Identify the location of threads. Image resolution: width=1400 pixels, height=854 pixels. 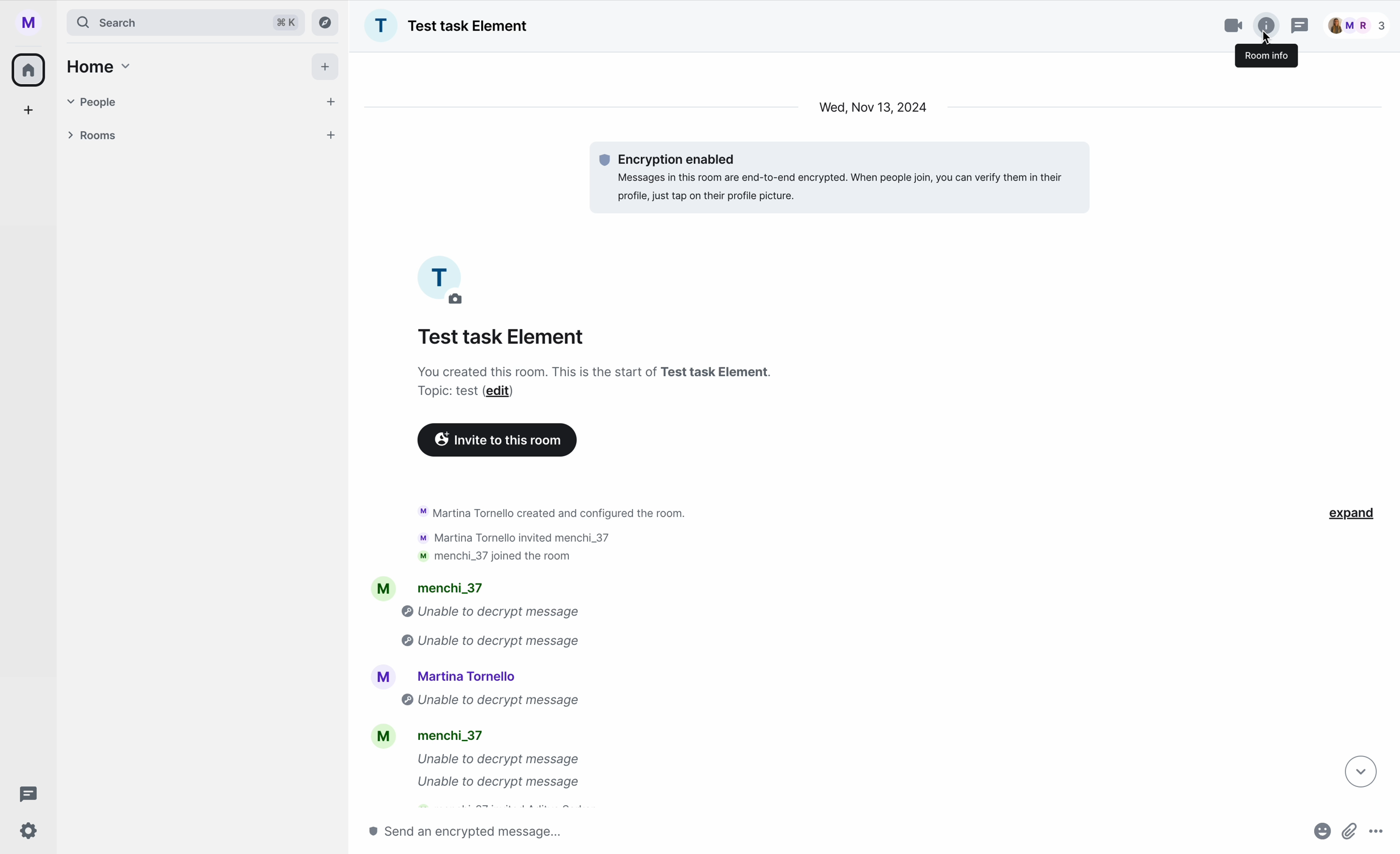
(25, 793).